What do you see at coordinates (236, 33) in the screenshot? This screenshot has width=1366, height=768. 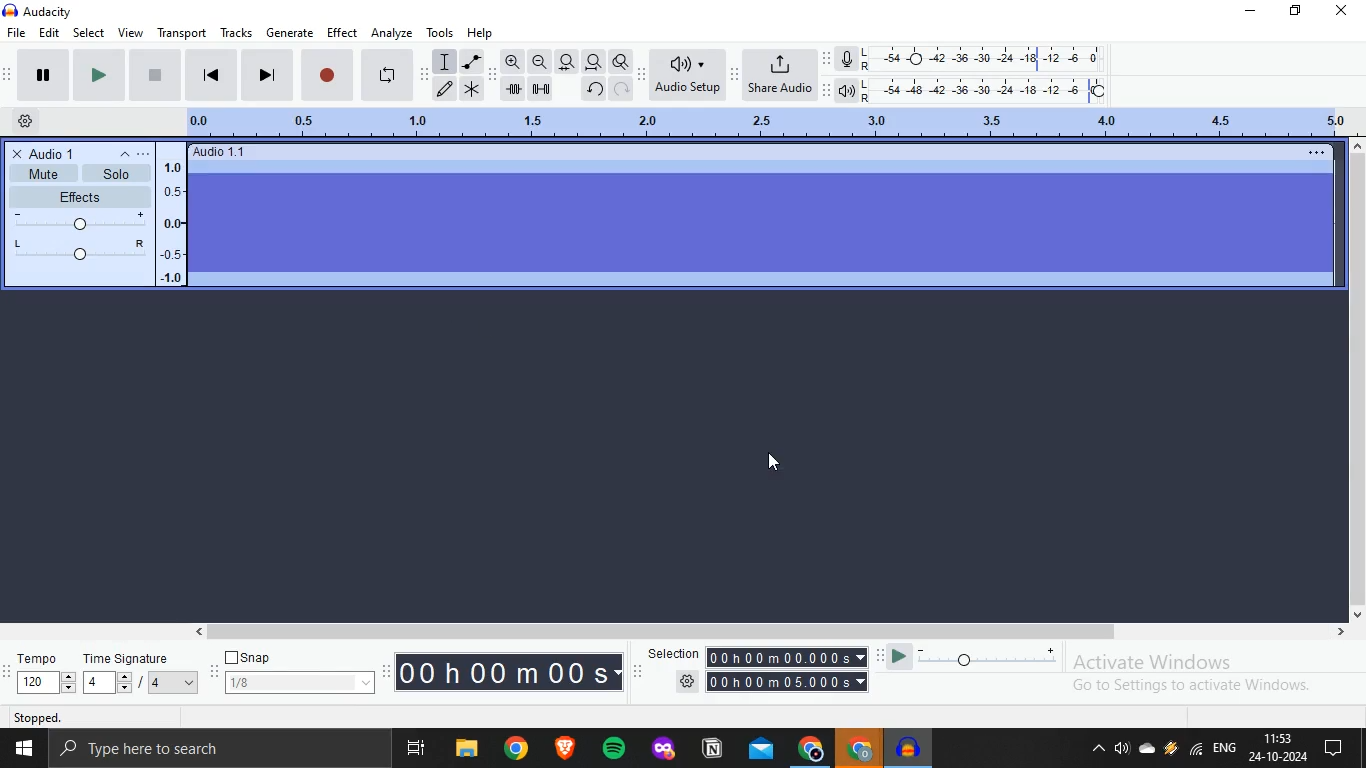 I see `Tracks` at bounding box center [236, 33].